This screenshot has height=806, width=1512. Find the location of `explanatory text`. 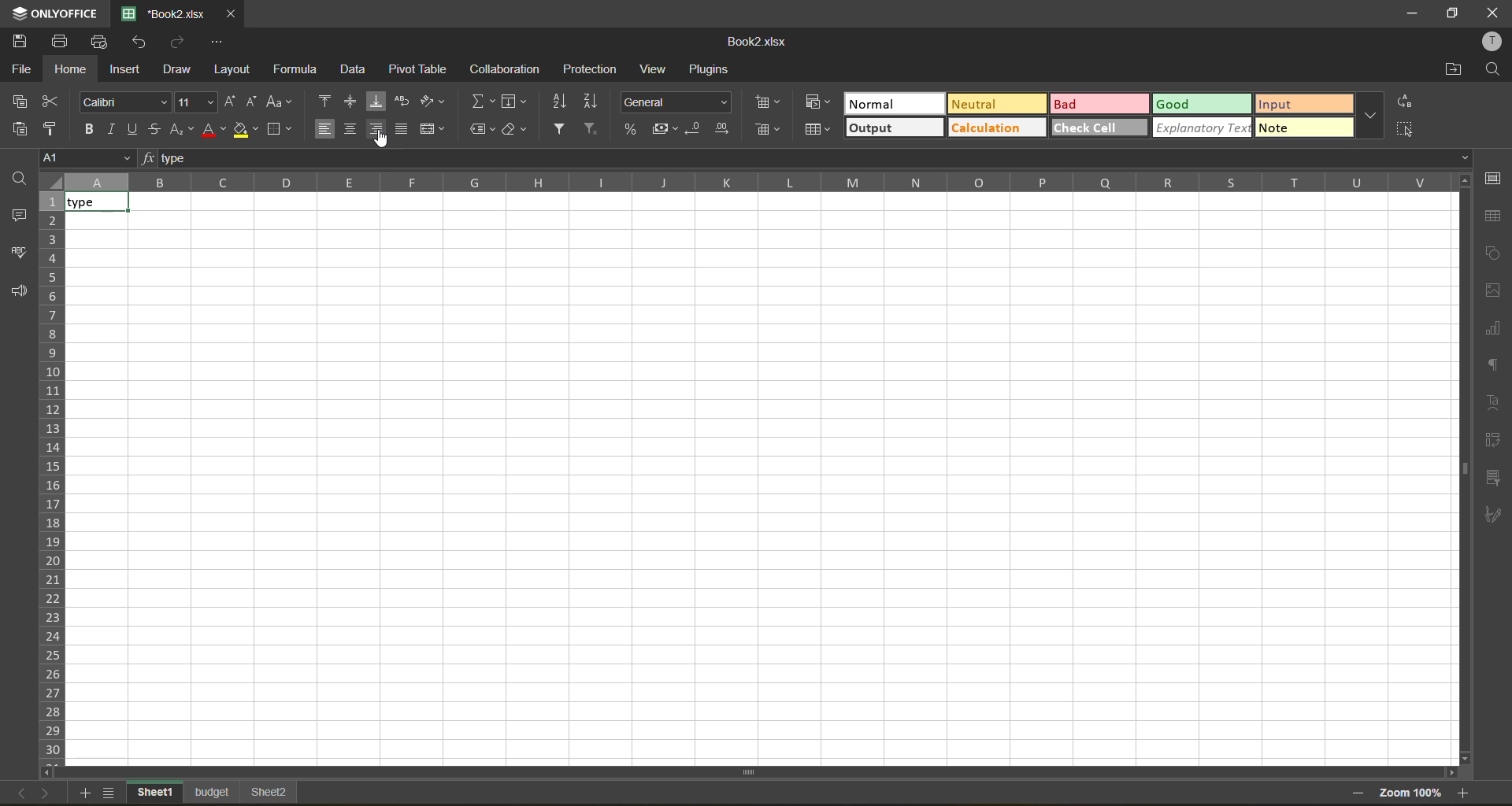

explanatory text is located at coordinates (1200, 128).